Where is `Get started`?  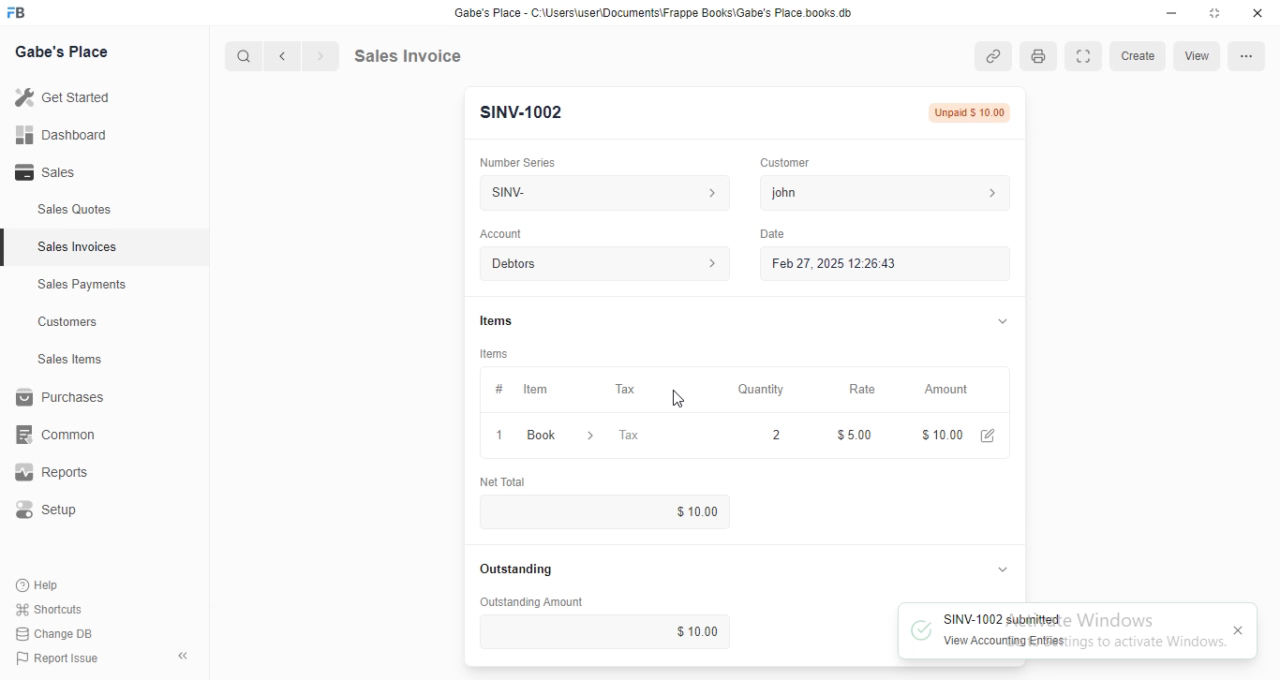 Get started is located at coordinates (65, 97).